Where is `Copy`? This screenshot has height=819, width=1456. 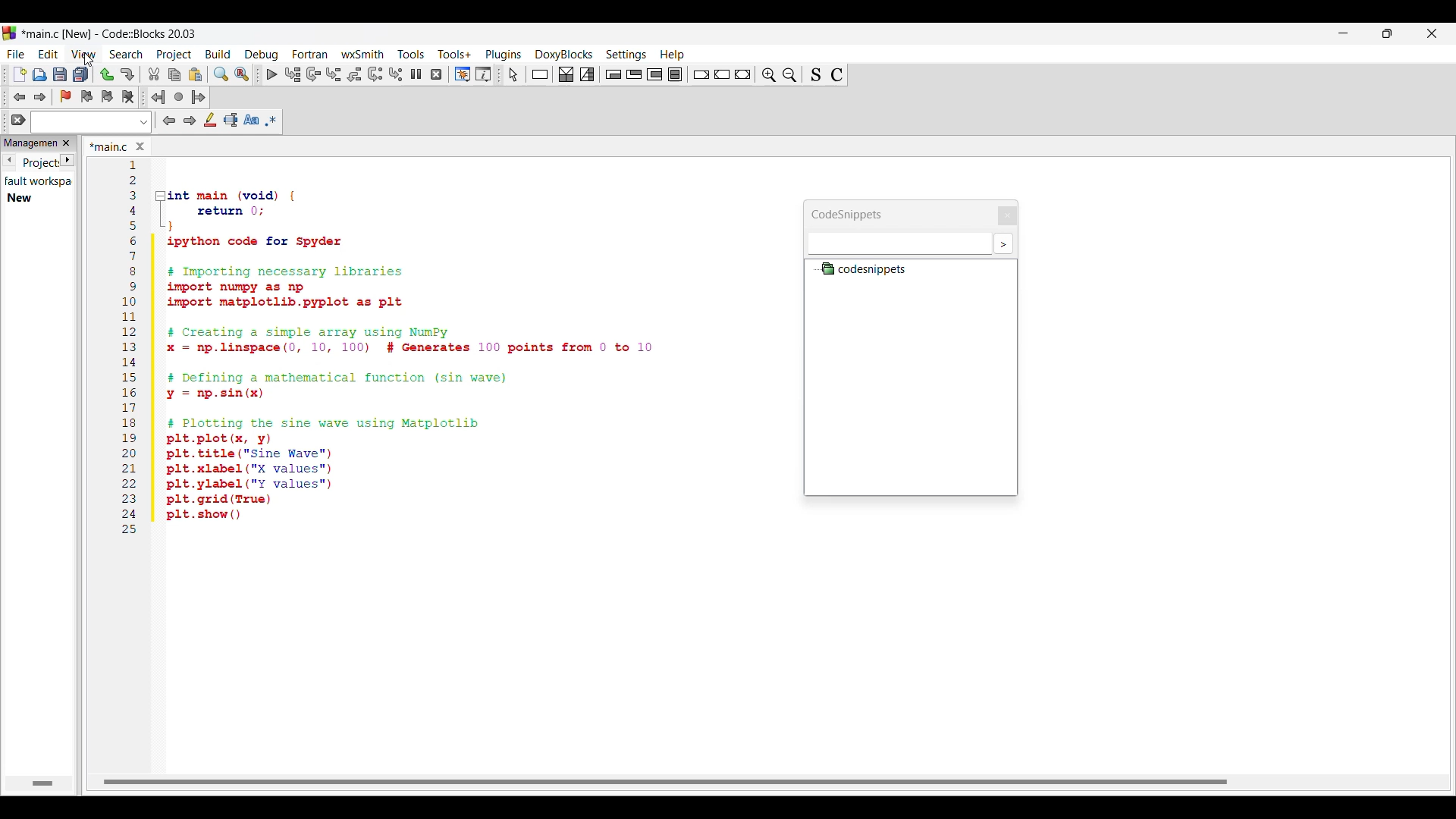
Copy is located at coordinates (174, 74).